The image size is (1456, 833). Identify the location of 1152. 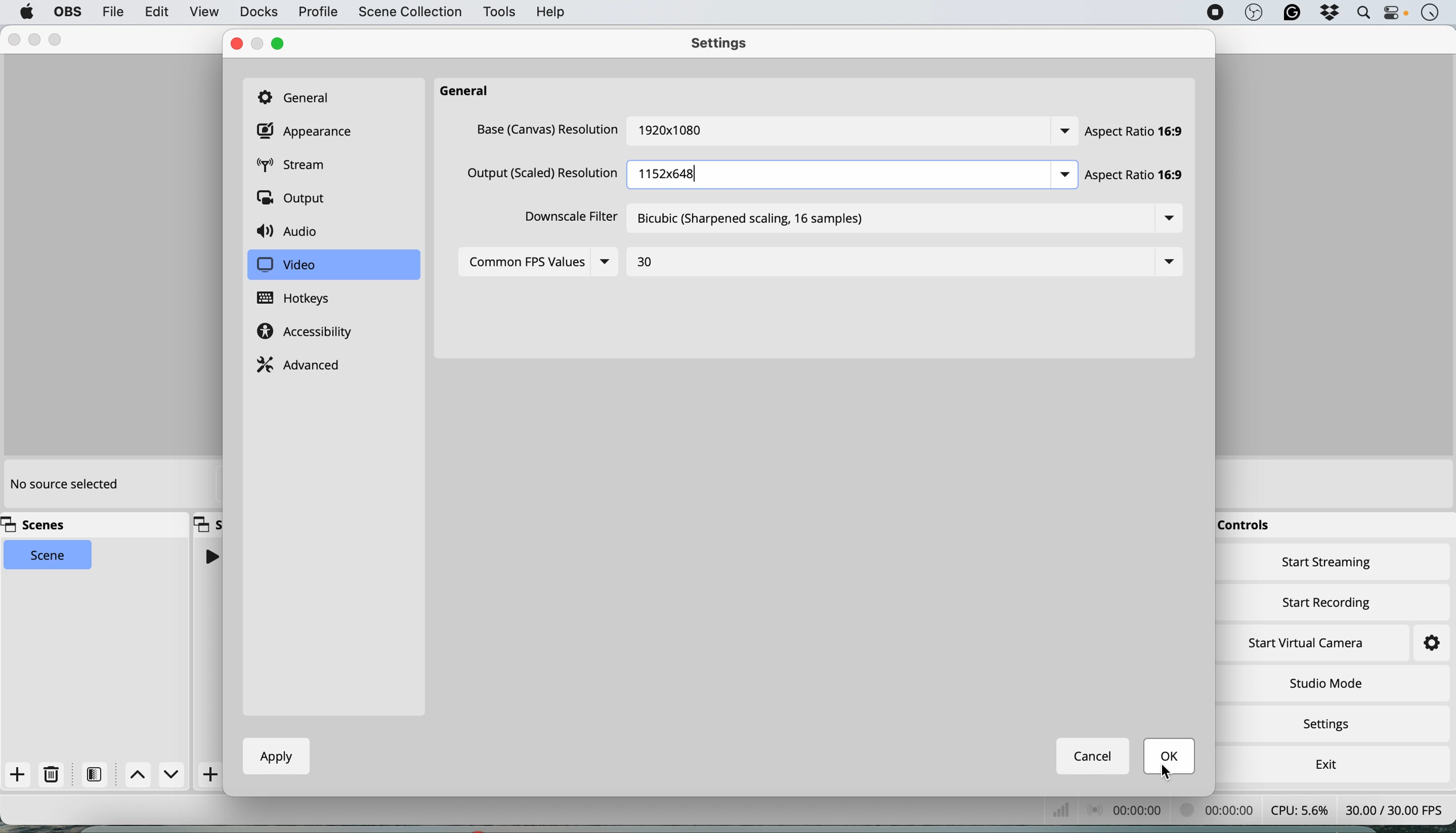
(668, 177).